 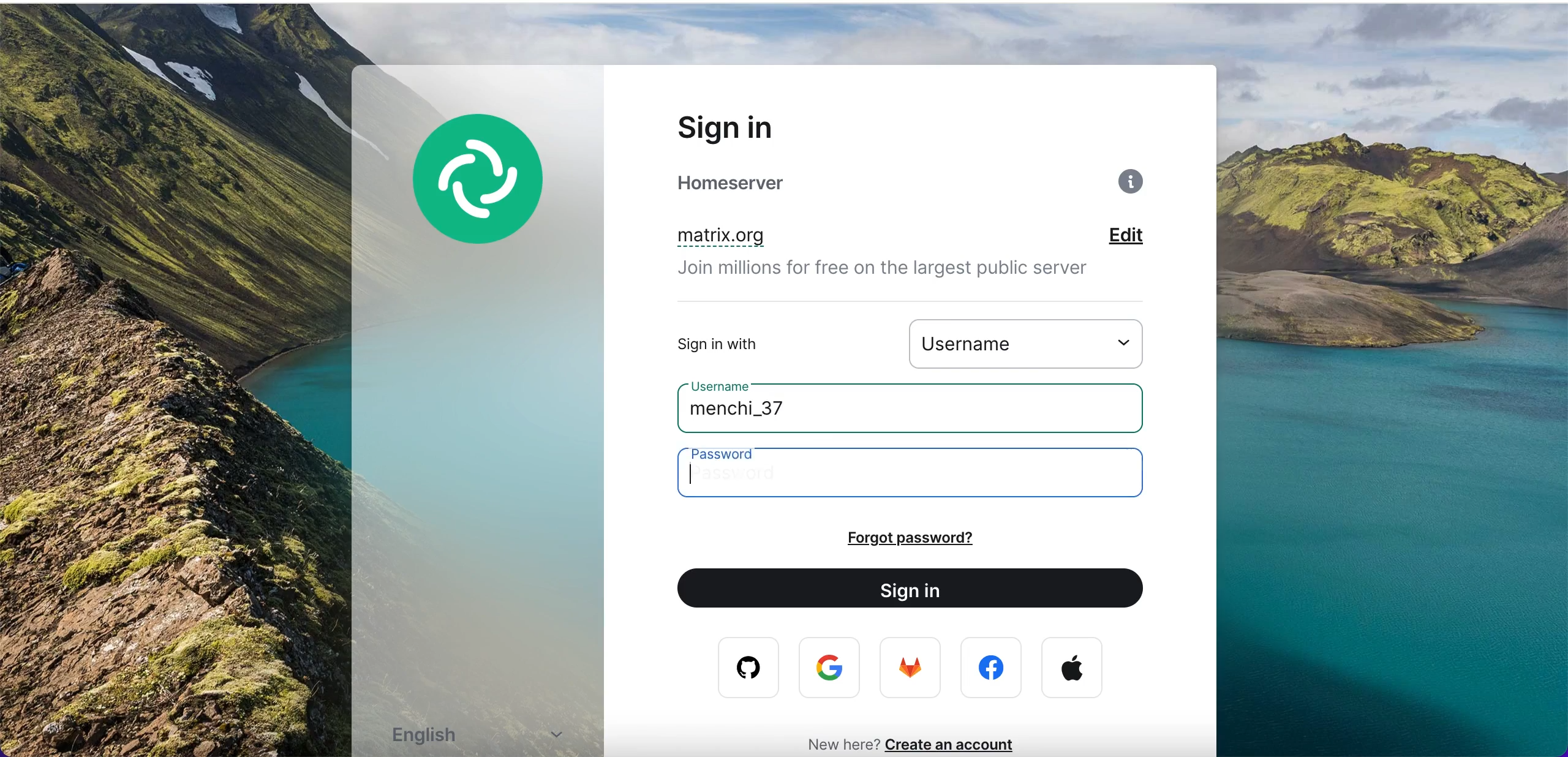 I want to click on menchi_37, so click(x=766, y=413).